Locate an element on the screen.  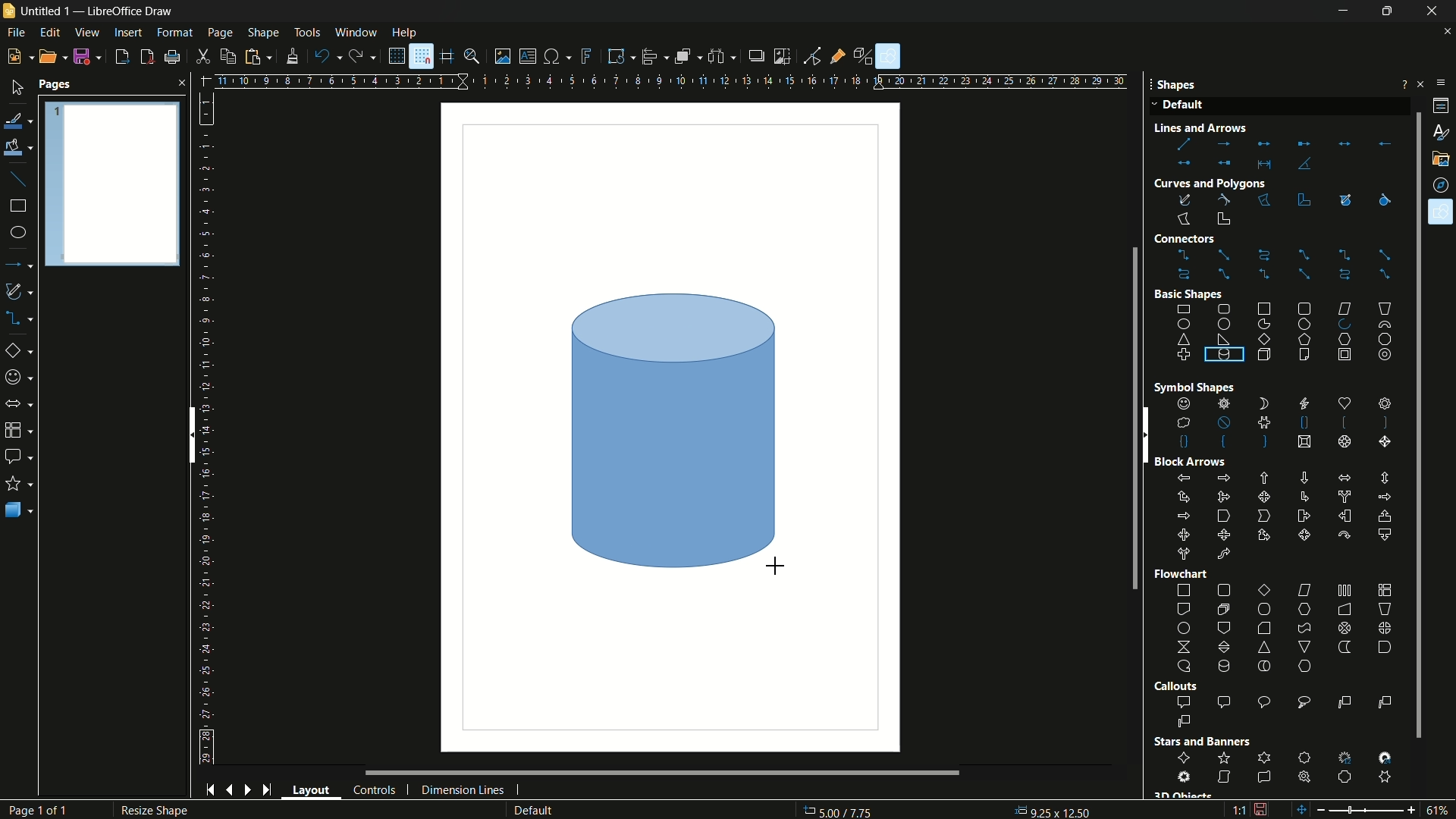
insert special characters is located at coordinates (557, 58).